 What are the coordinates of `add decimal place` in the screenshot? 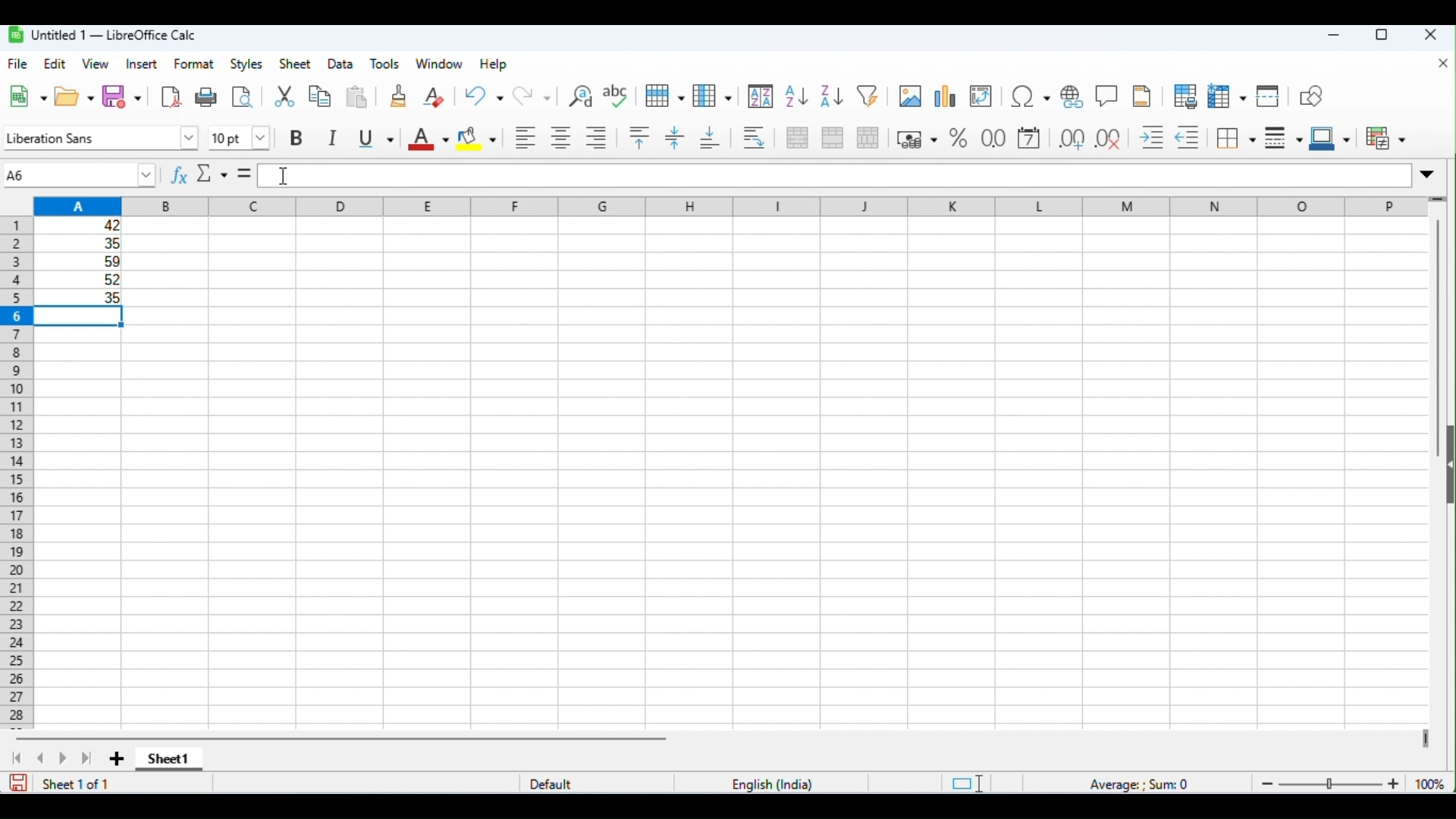 It's located at (1071, 138).